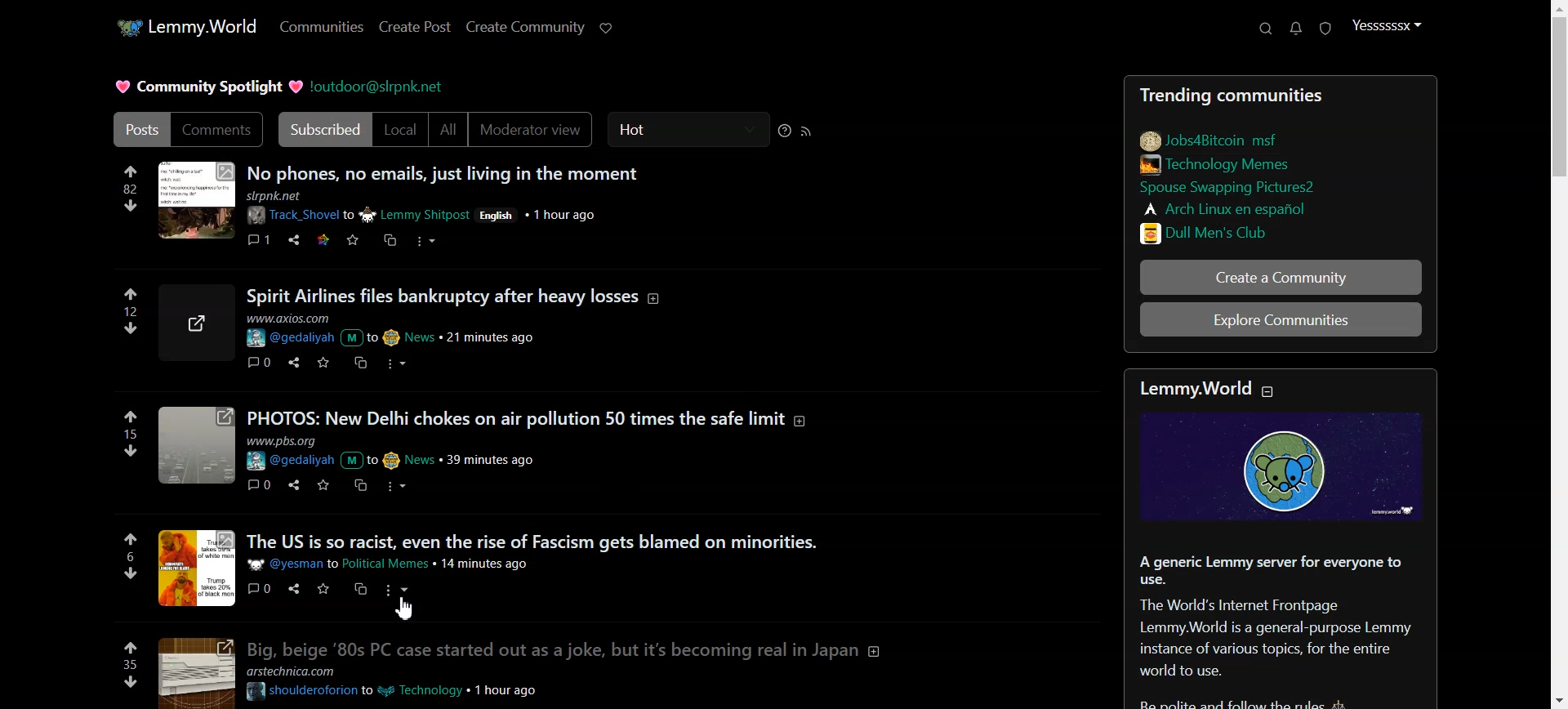 This screenshot has width=1568, height=709. What do you see at coordinates (260, 484) in the screenshot?
I see `comments` at bounding box center [260, 484].